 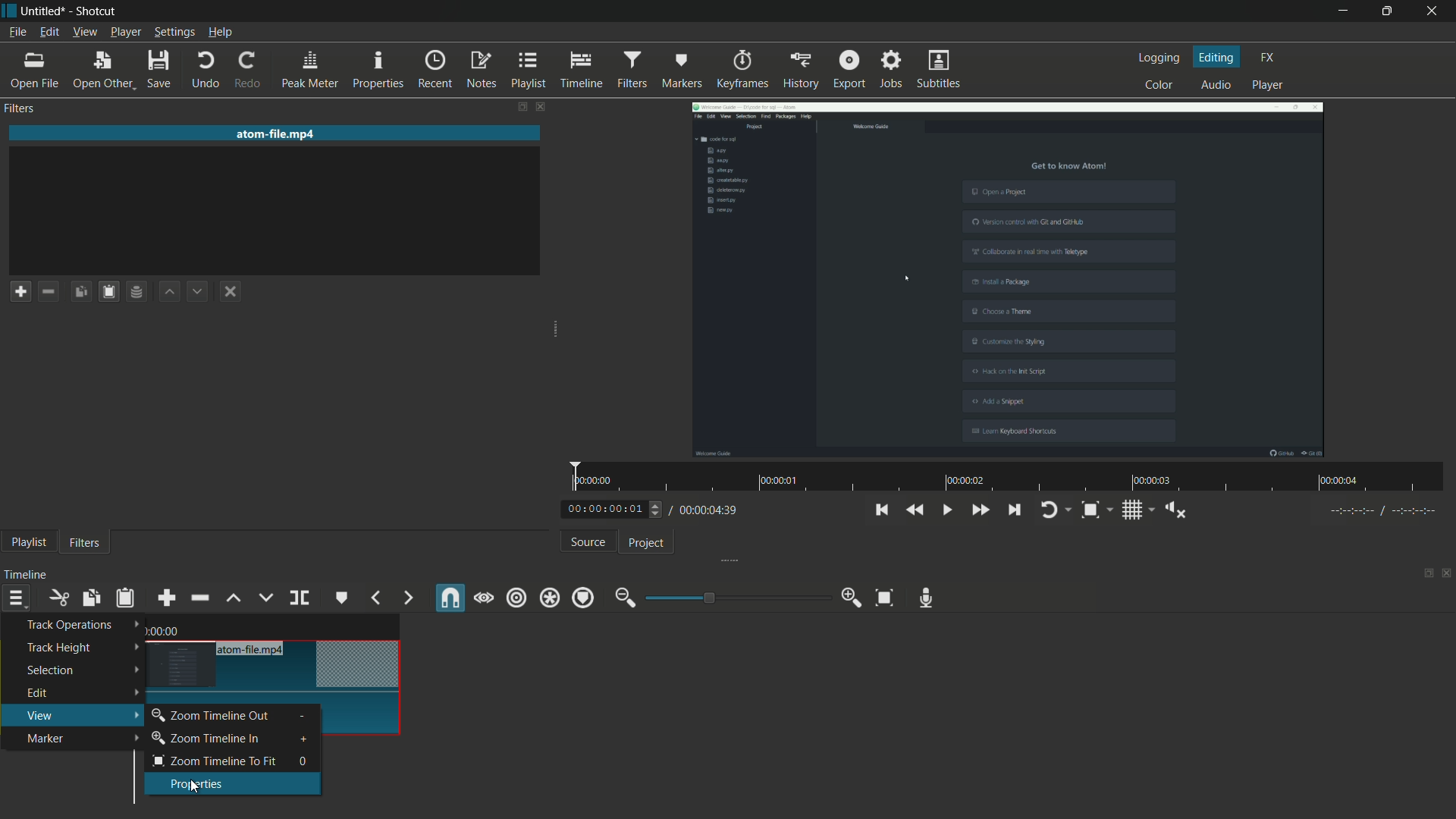 What do you see at coordinates (307, 741) in the screenshot?
I see `+` at bounding box center [307, 741].